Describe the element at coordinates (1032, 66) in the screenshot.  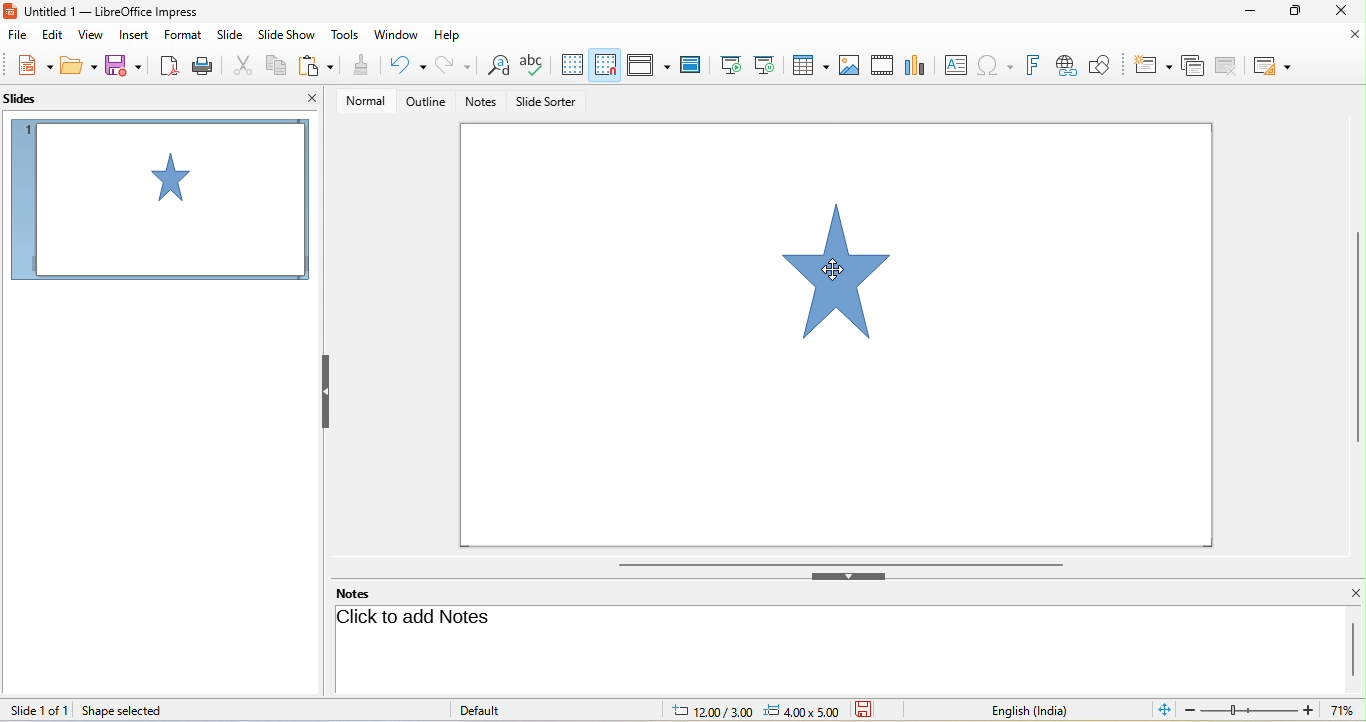
I see `fontwork text` at that location.